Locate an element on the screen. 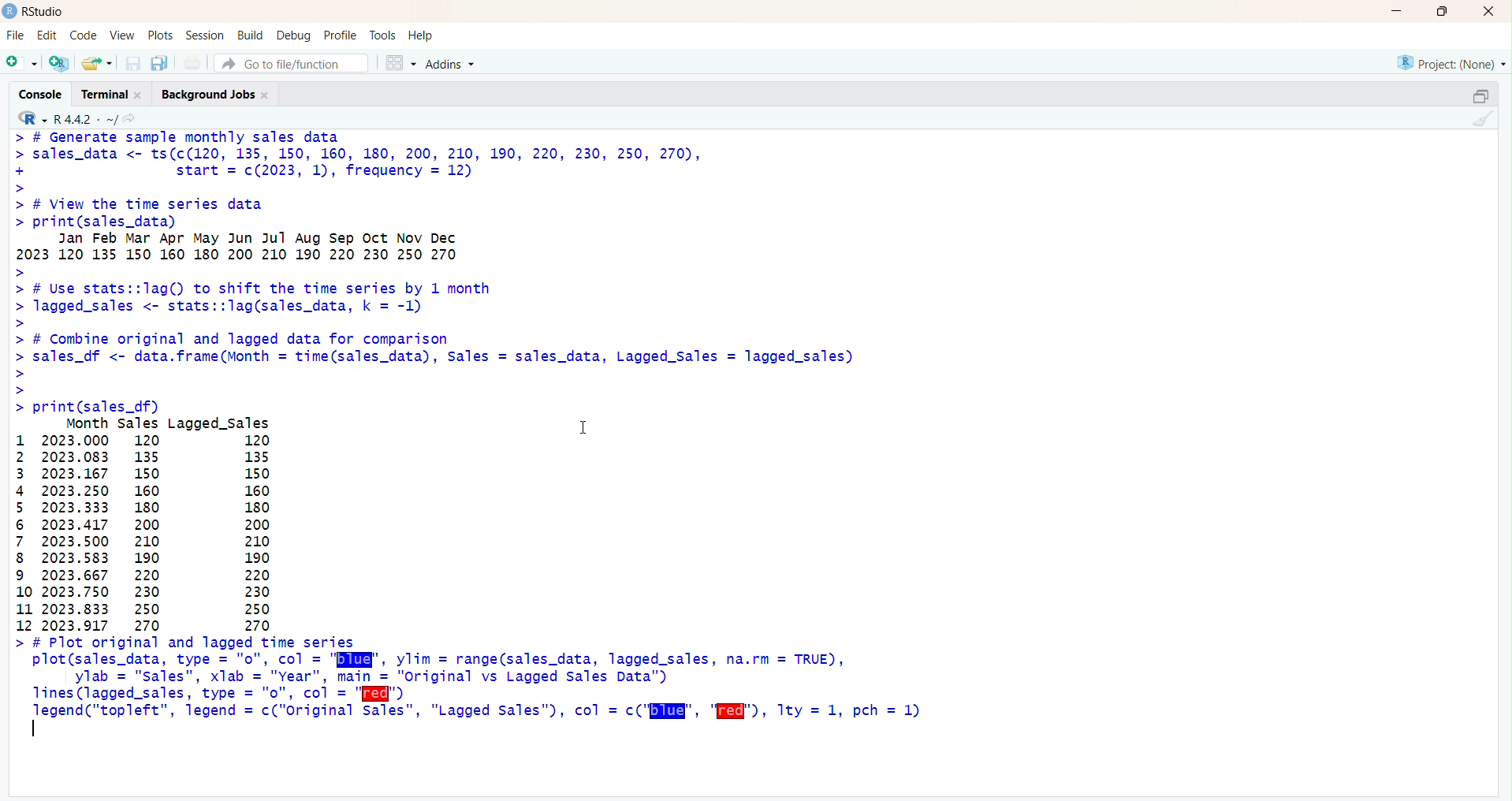 The height and width of the screenshot is (801, 1512). project (none) is located at coordinates (1449, 61).